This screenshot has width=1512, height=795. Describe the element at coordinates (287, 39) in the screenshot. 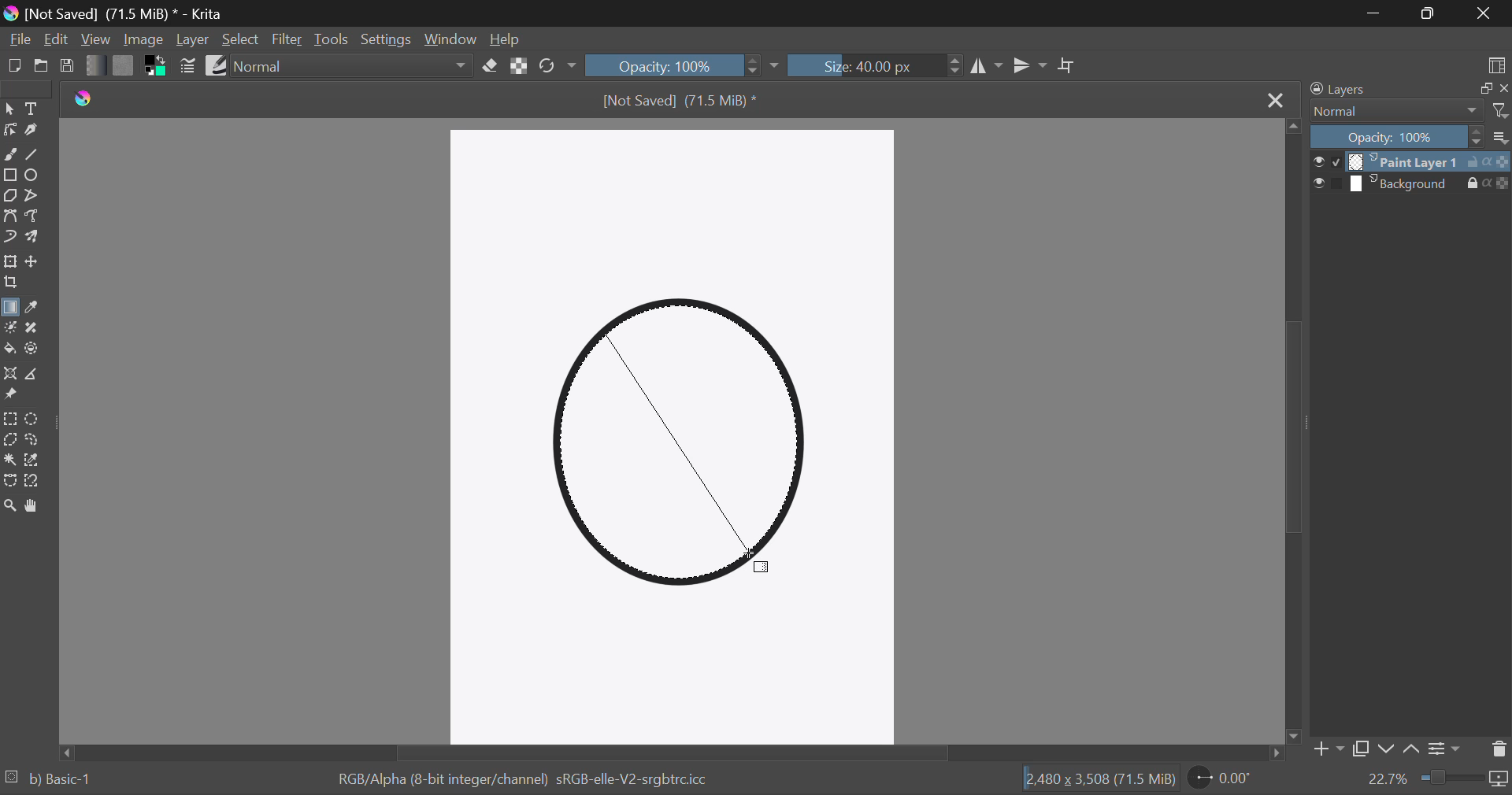

I see `Filter` at that location.